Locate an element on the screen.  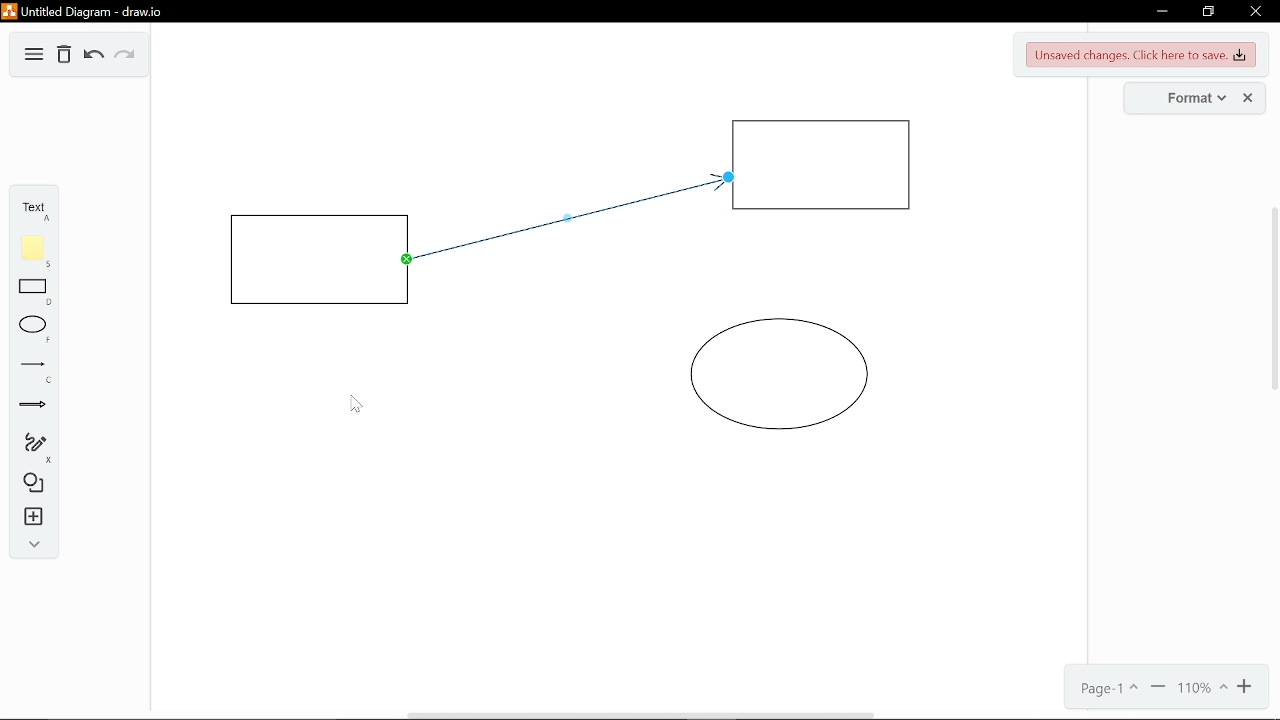
Zoom out is located at coordinates (1156, 689).